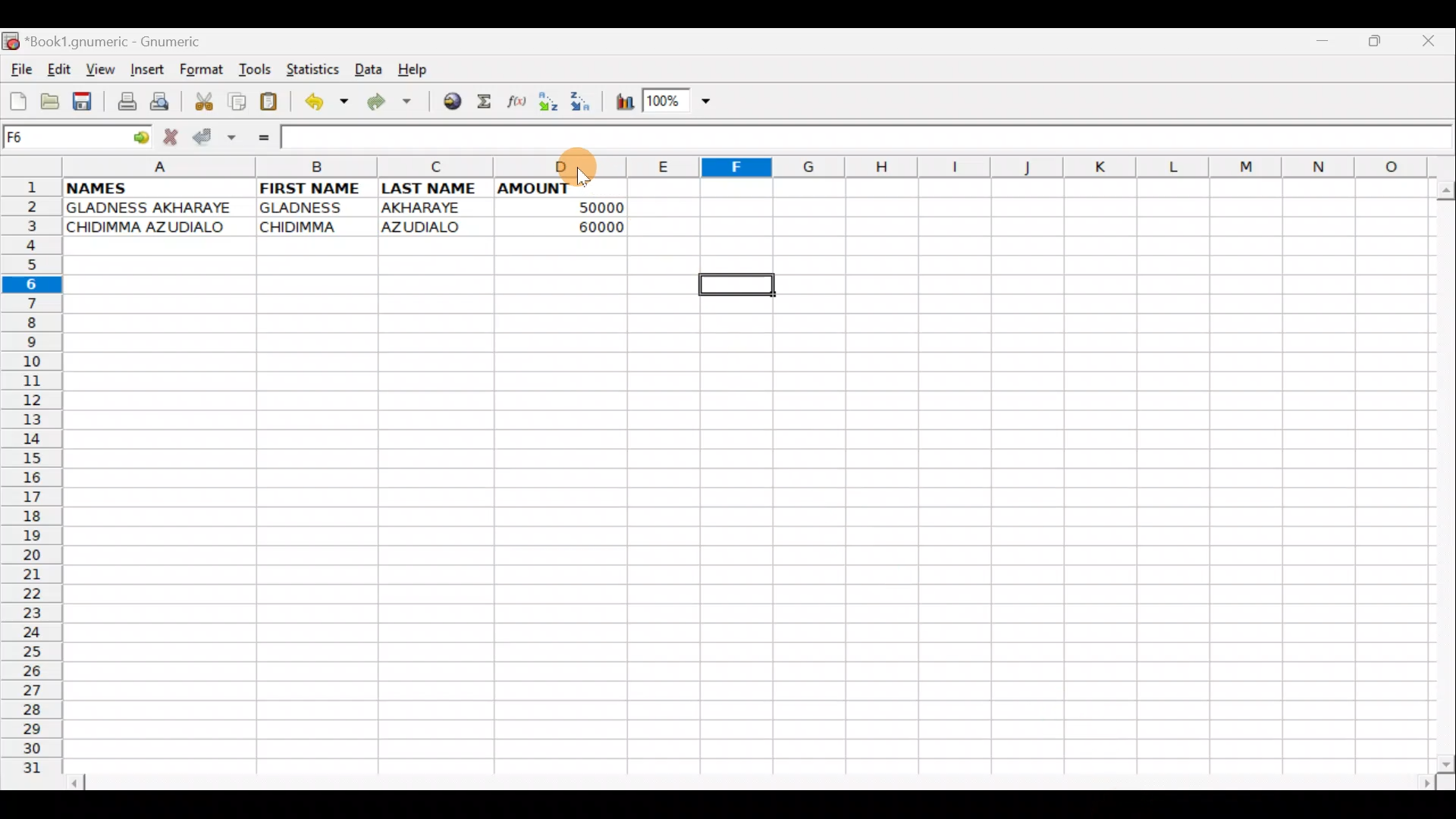  Describe the element at coordinates (760, 166) in the screenshot. I see `Columns` at that location.